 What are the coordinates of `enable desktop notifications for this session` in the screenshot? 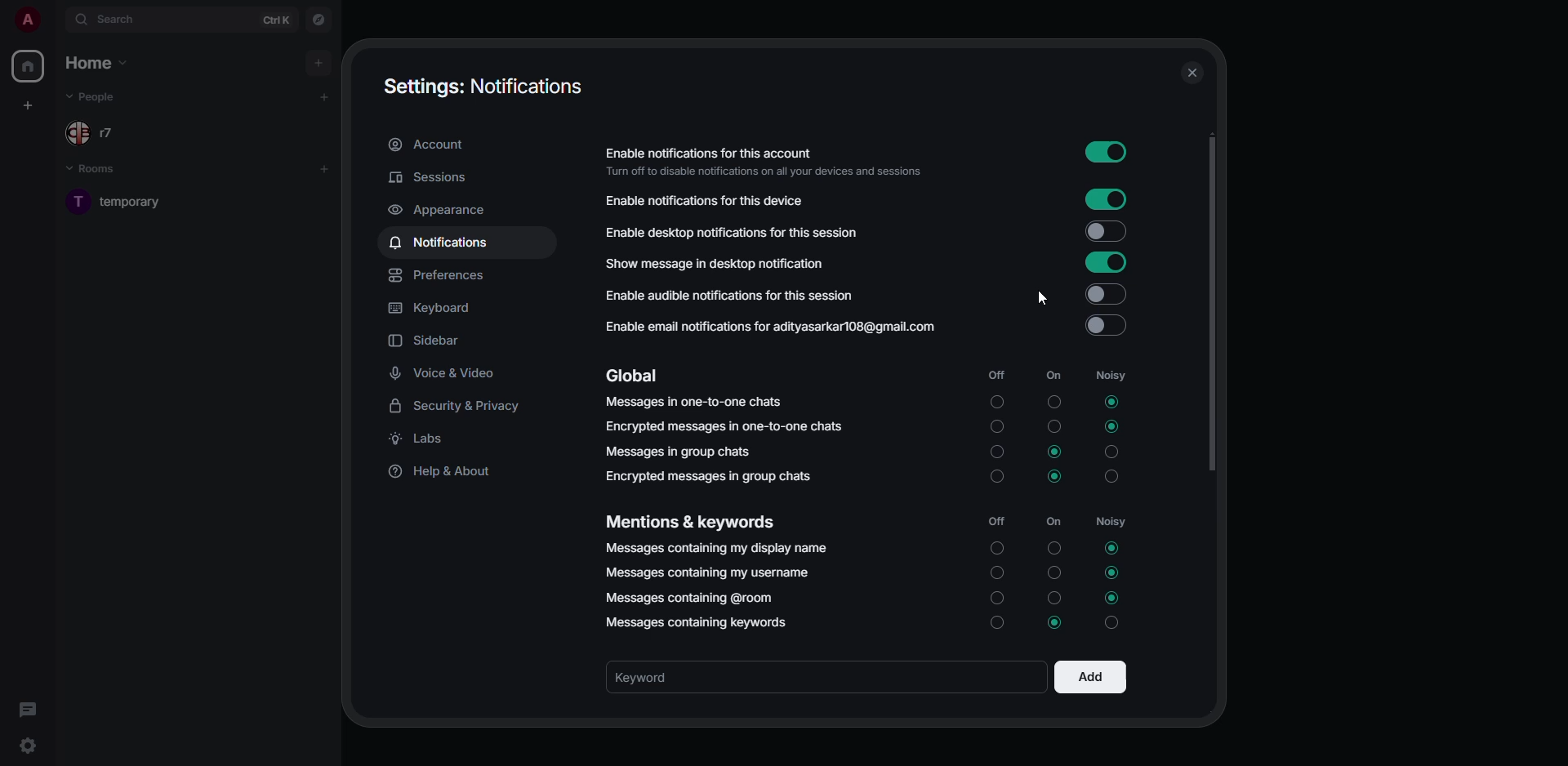 It's located at (733, 233).